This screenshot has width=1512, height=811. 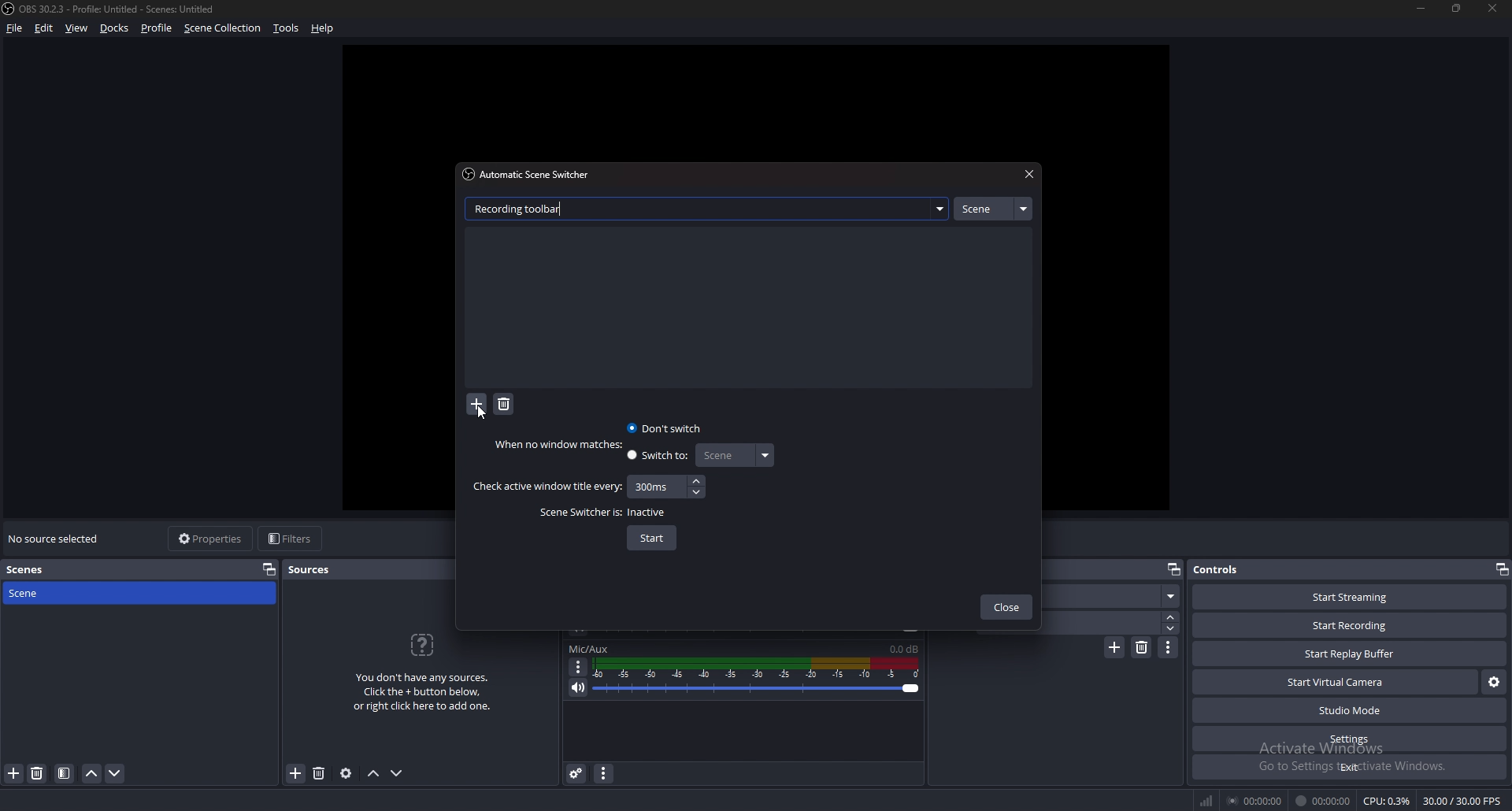 What do you see at coordinates (1006, 609) in the screenshot?
I see `close` at bounding box center [1006, 609].